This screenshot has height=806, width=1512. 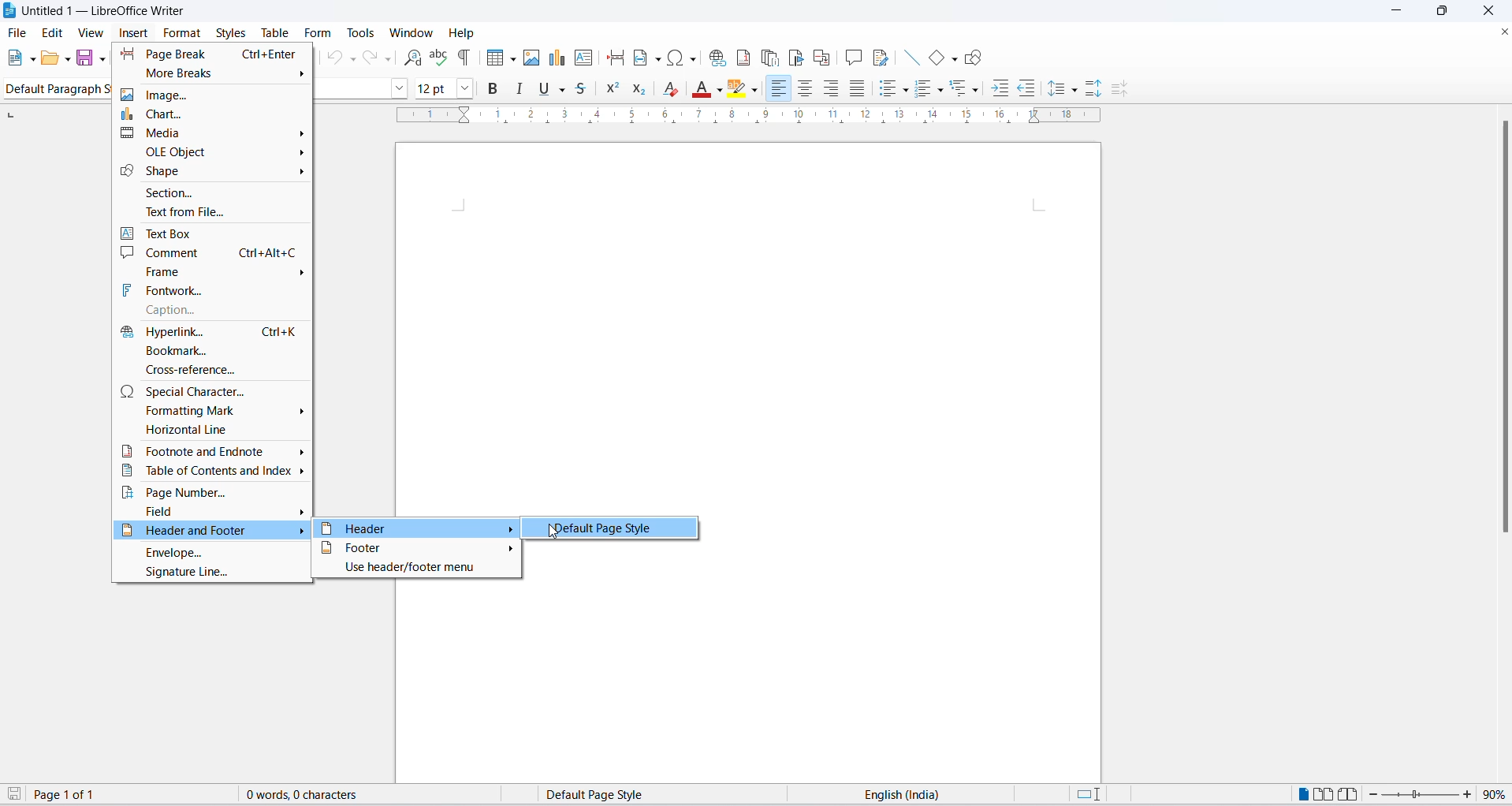 What do you see at coordinates (86, 58) in the screenshot?
I see `save` at bounding box center [86, 58].